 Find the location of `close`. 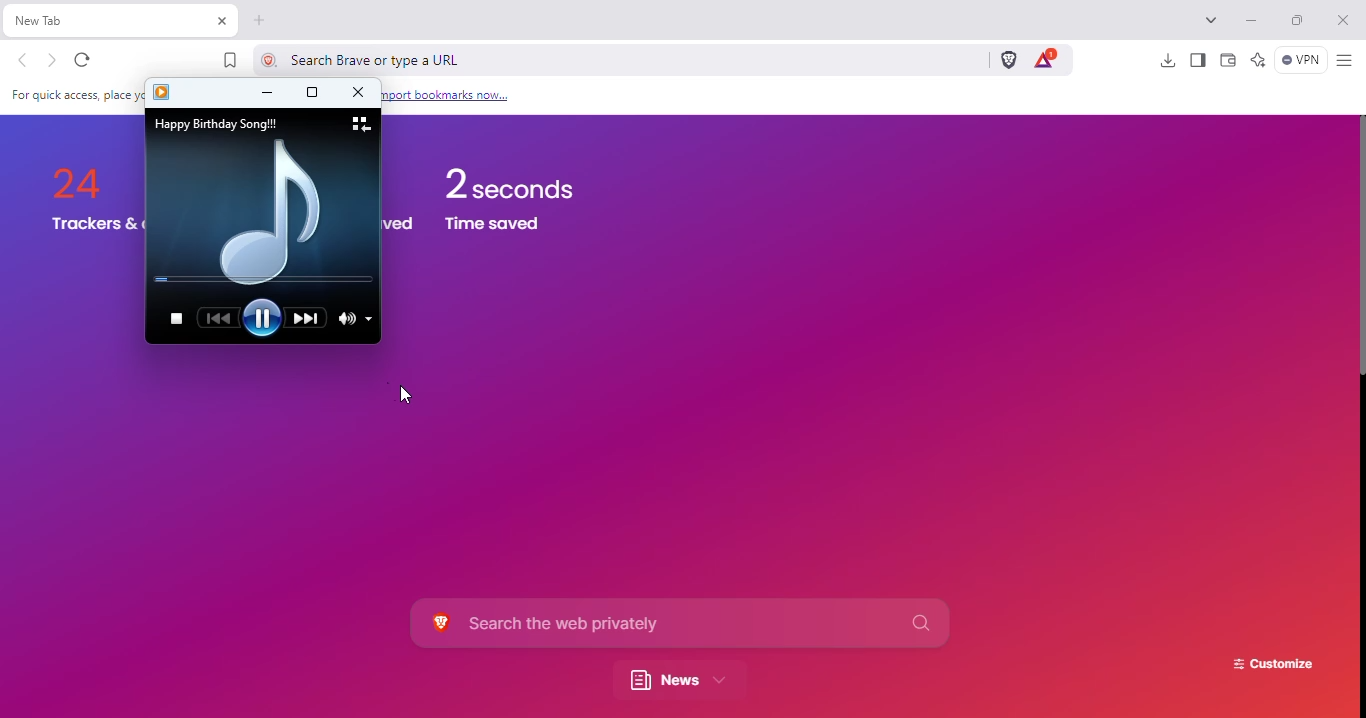

close is located at coordinates (359, 91).